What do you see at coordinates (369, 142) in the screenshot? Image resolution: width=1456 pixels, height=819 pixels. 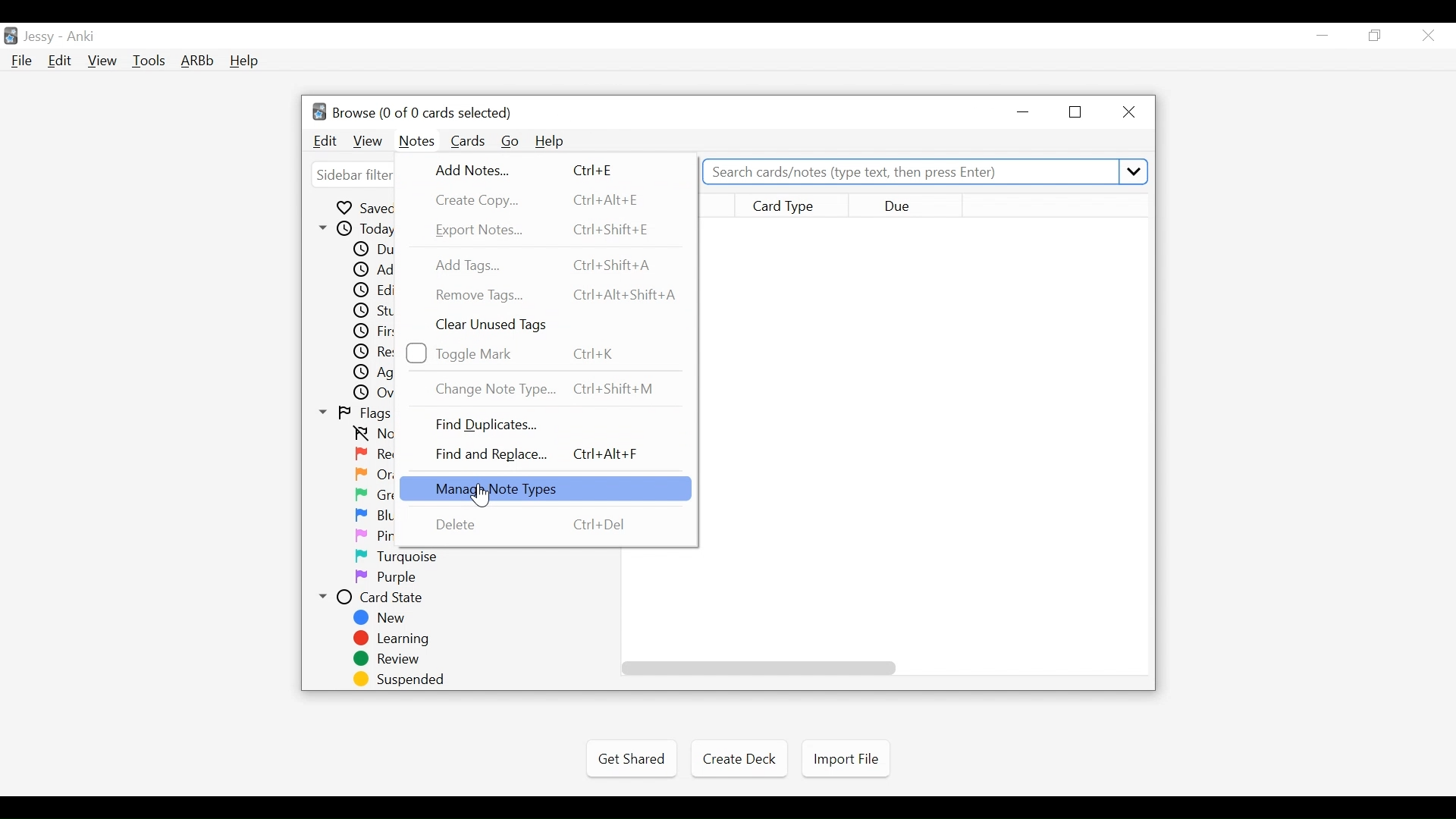 I see `View` at bounding box center [369, 142].